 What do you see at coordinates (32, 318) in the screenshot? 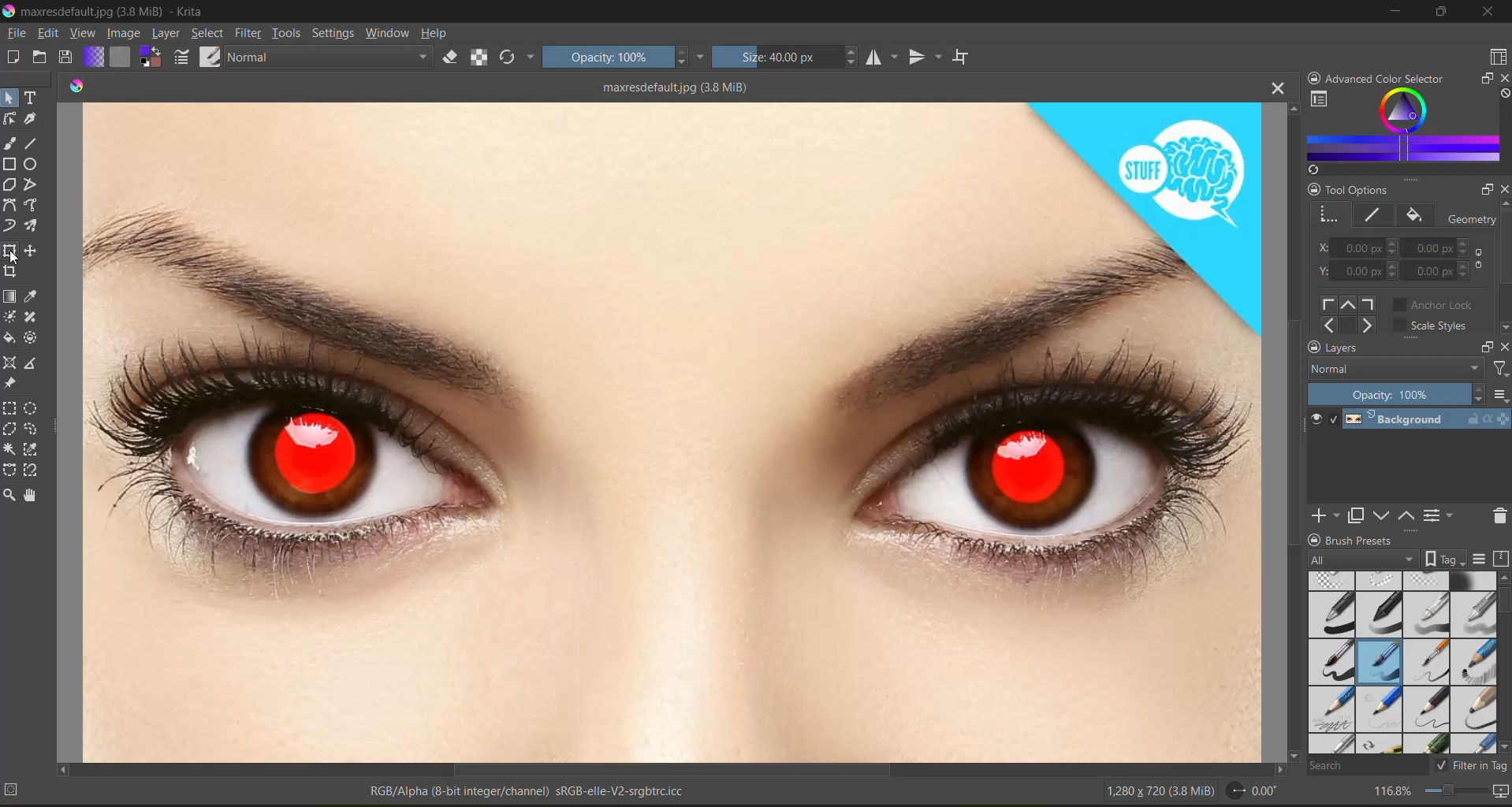
I see `tool` at bounding box center [32, 318].